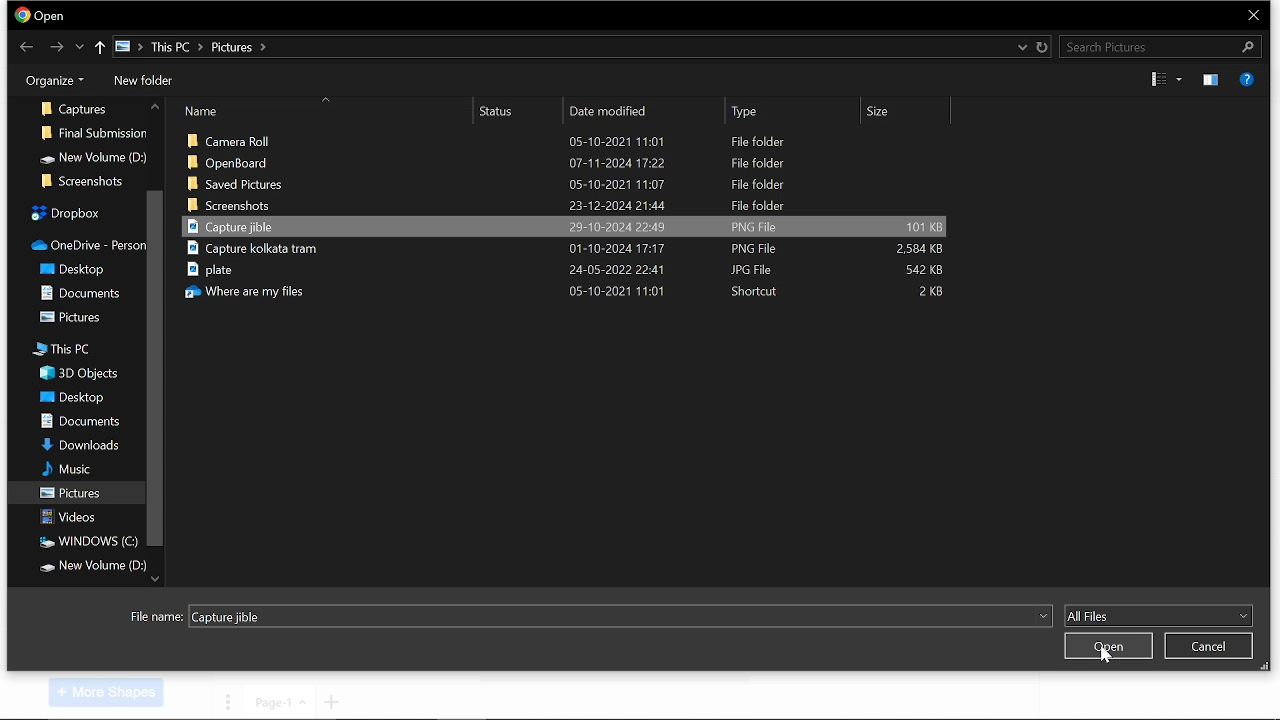  I want to click on folders, so click(73, 491).